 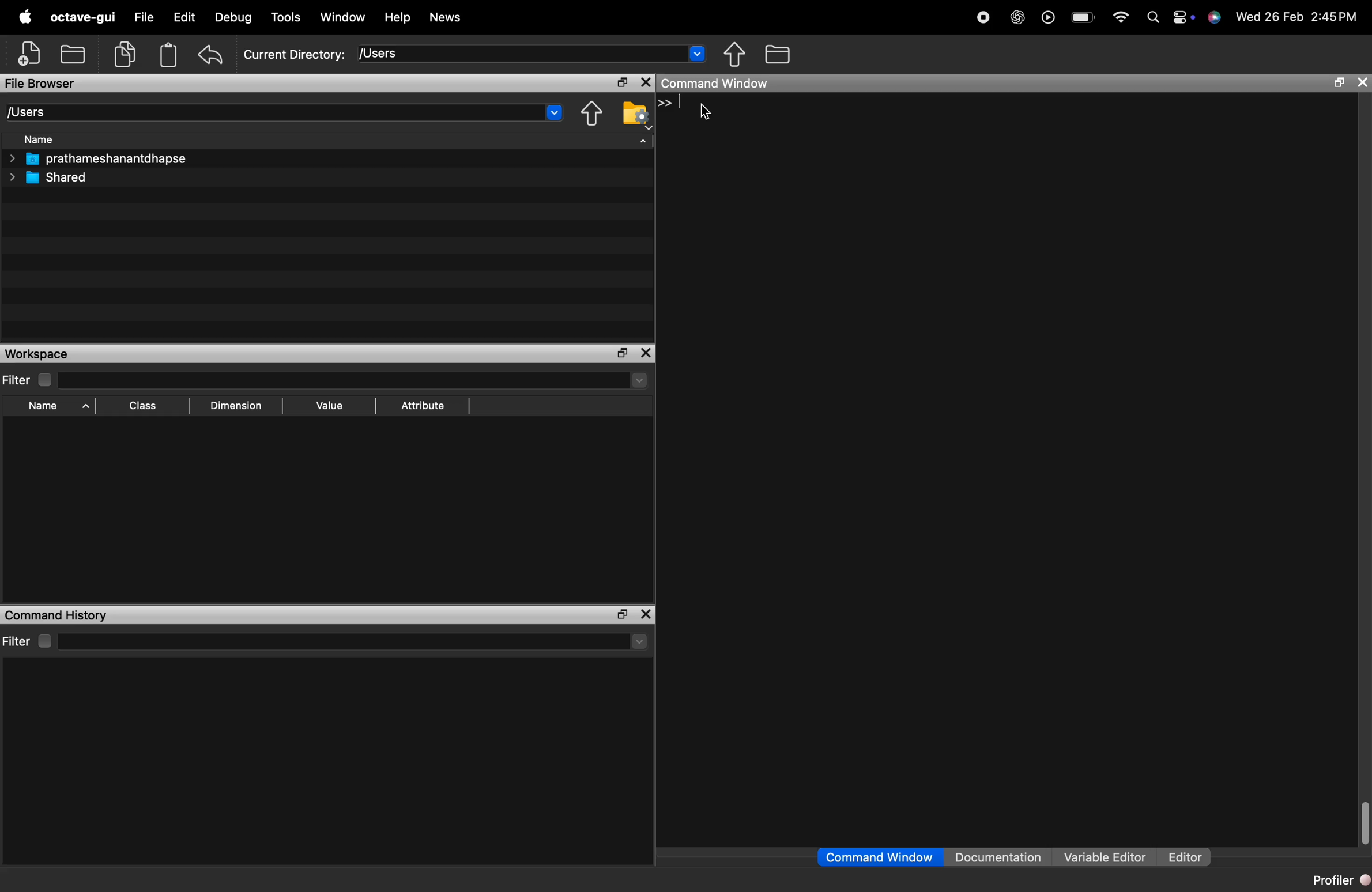 I want to click on move, so click(x=590, y=116).